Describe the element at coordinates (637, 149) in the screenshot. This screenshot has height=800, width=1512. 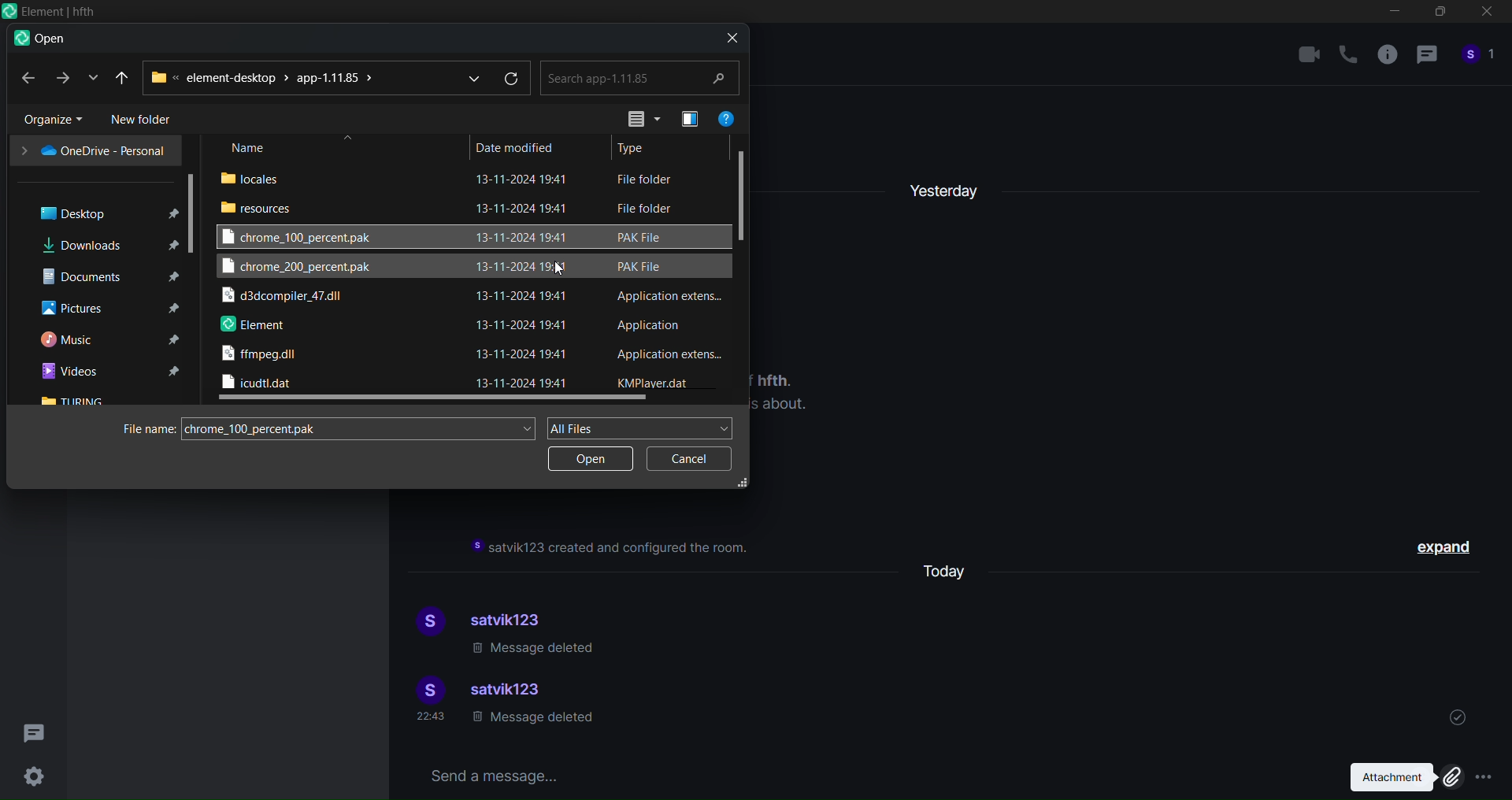
I see `type` at that location.